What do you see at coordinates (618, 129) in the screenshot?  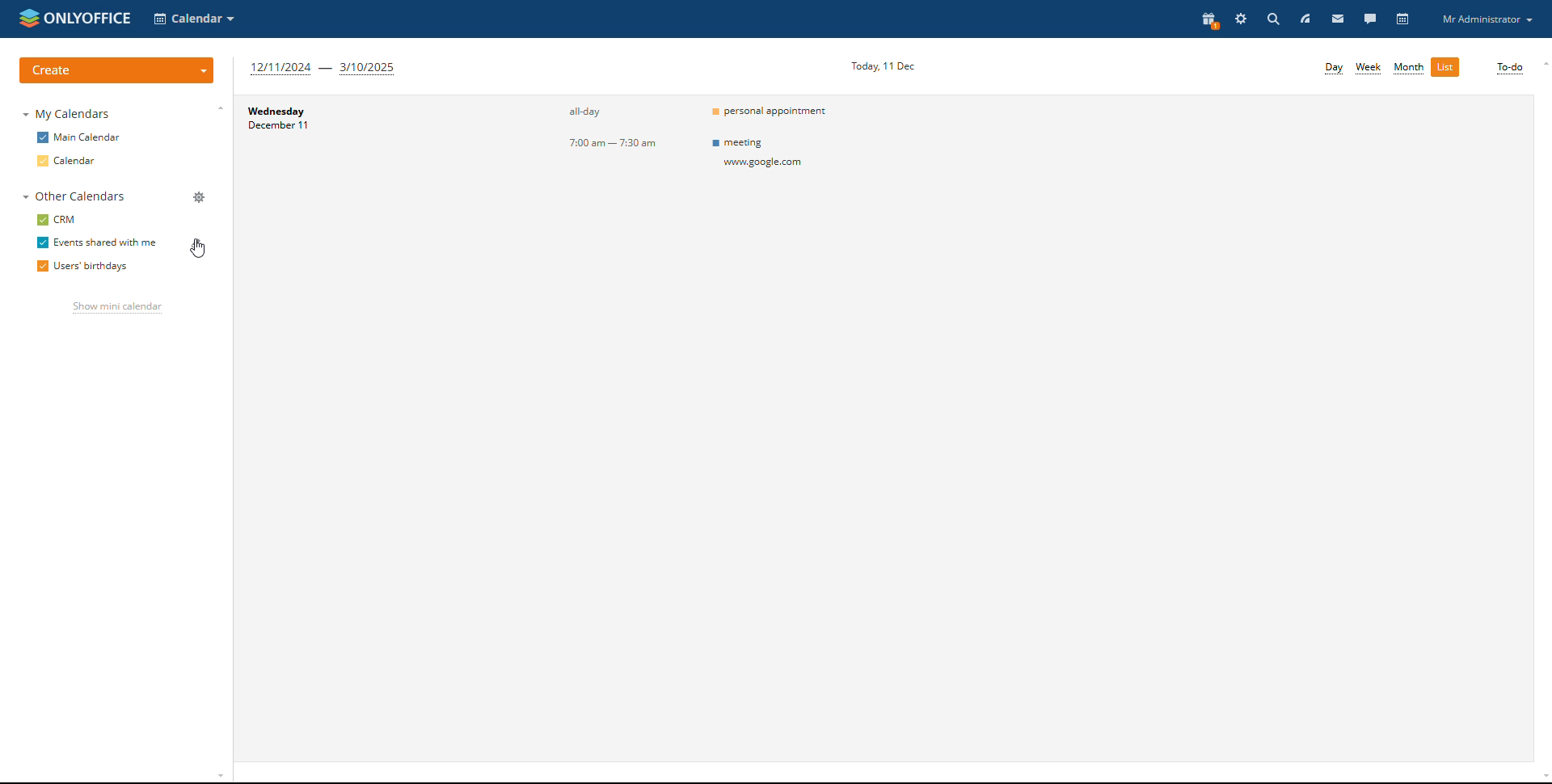 I see `event timings` at bounding box center [618, 129].